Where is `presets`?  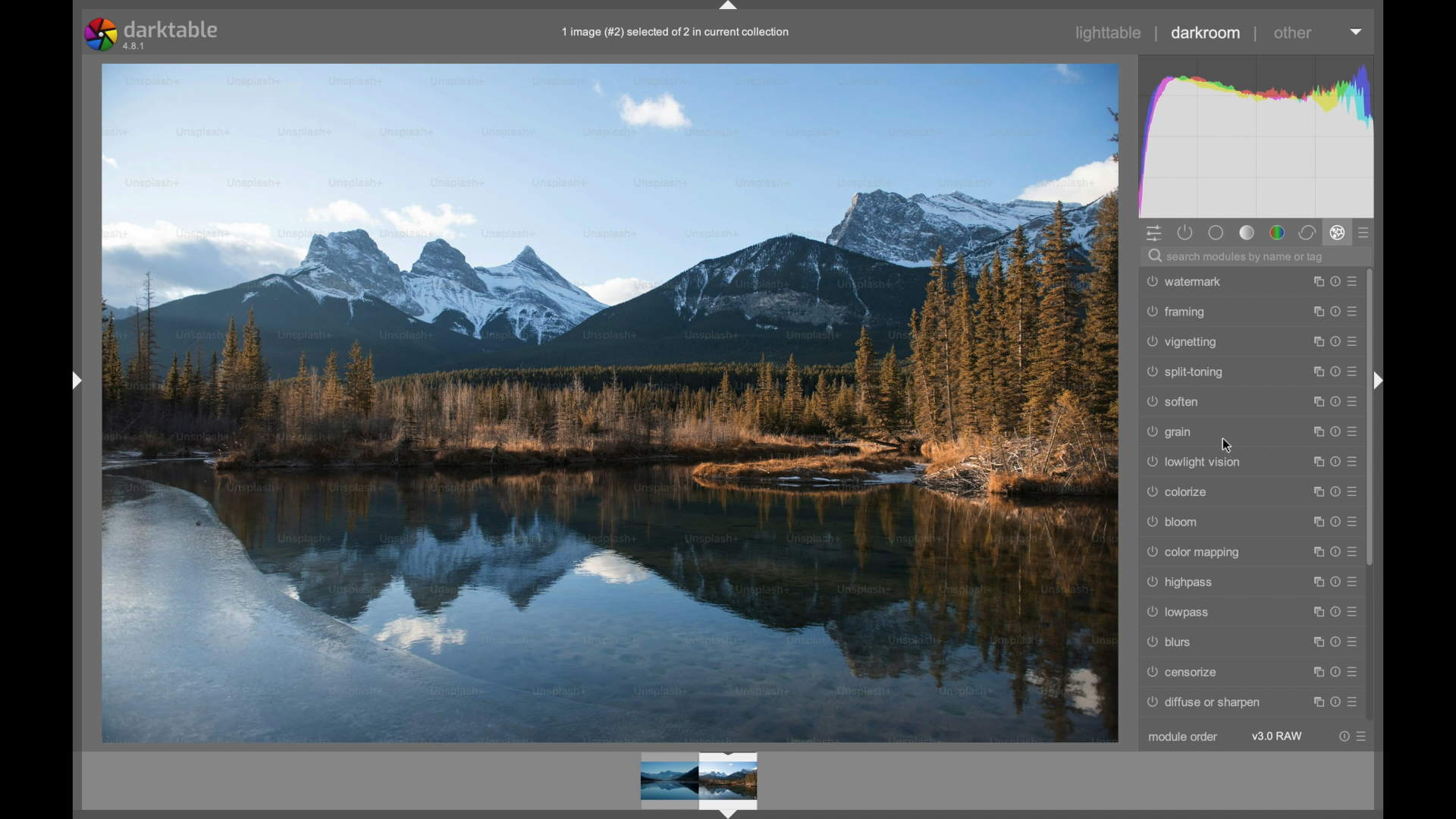 presets is located at coordinates (1367, 234).